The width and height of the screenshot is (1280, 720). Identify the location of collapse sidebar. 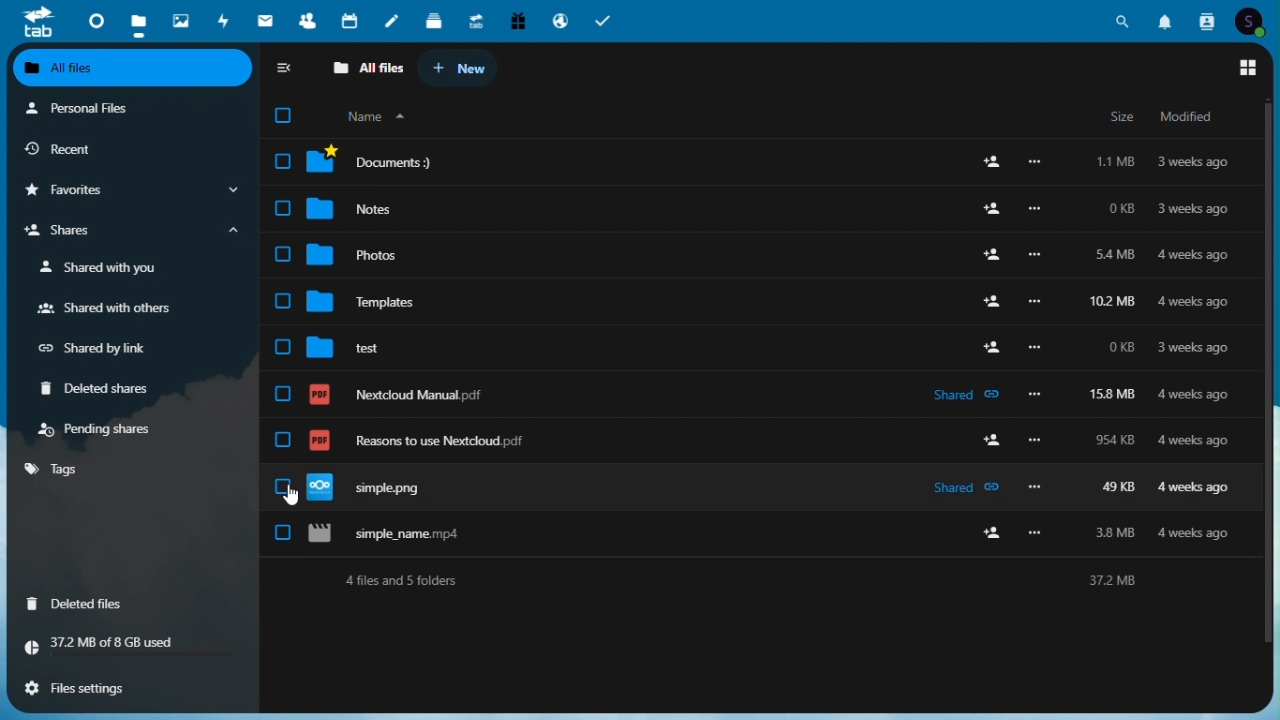
(286, 70).